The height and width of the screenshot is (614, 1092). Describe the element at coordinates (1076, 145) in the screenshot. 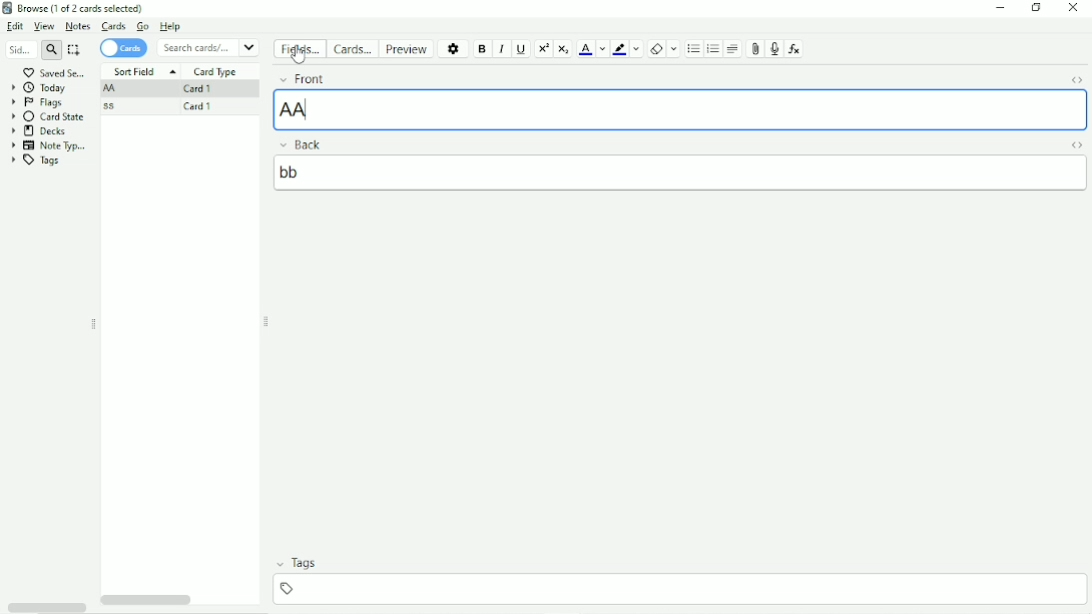

I see `Toggle HTML Editor` at that location.